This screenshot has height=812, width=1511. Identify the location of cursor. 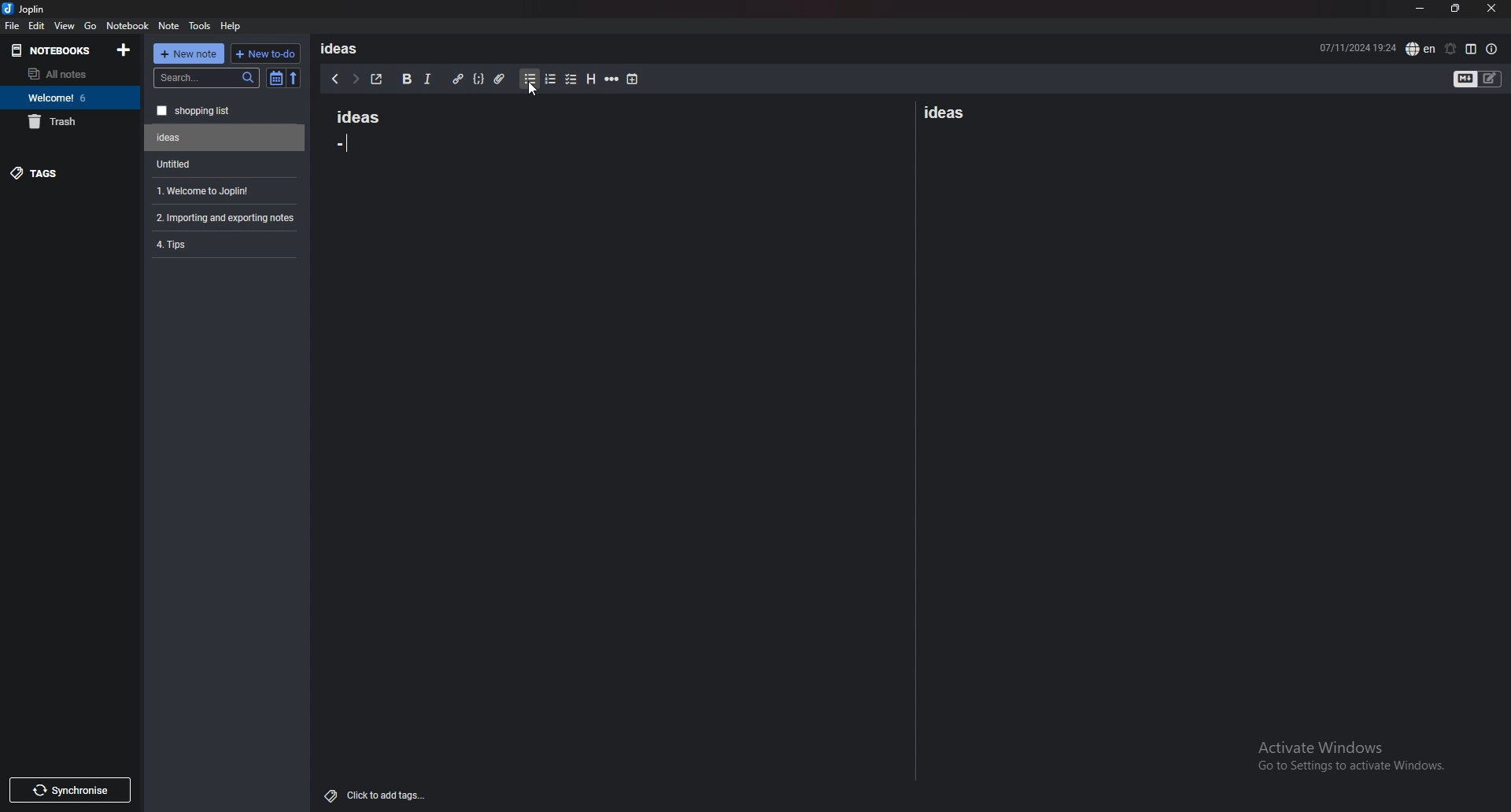
(532, 90).